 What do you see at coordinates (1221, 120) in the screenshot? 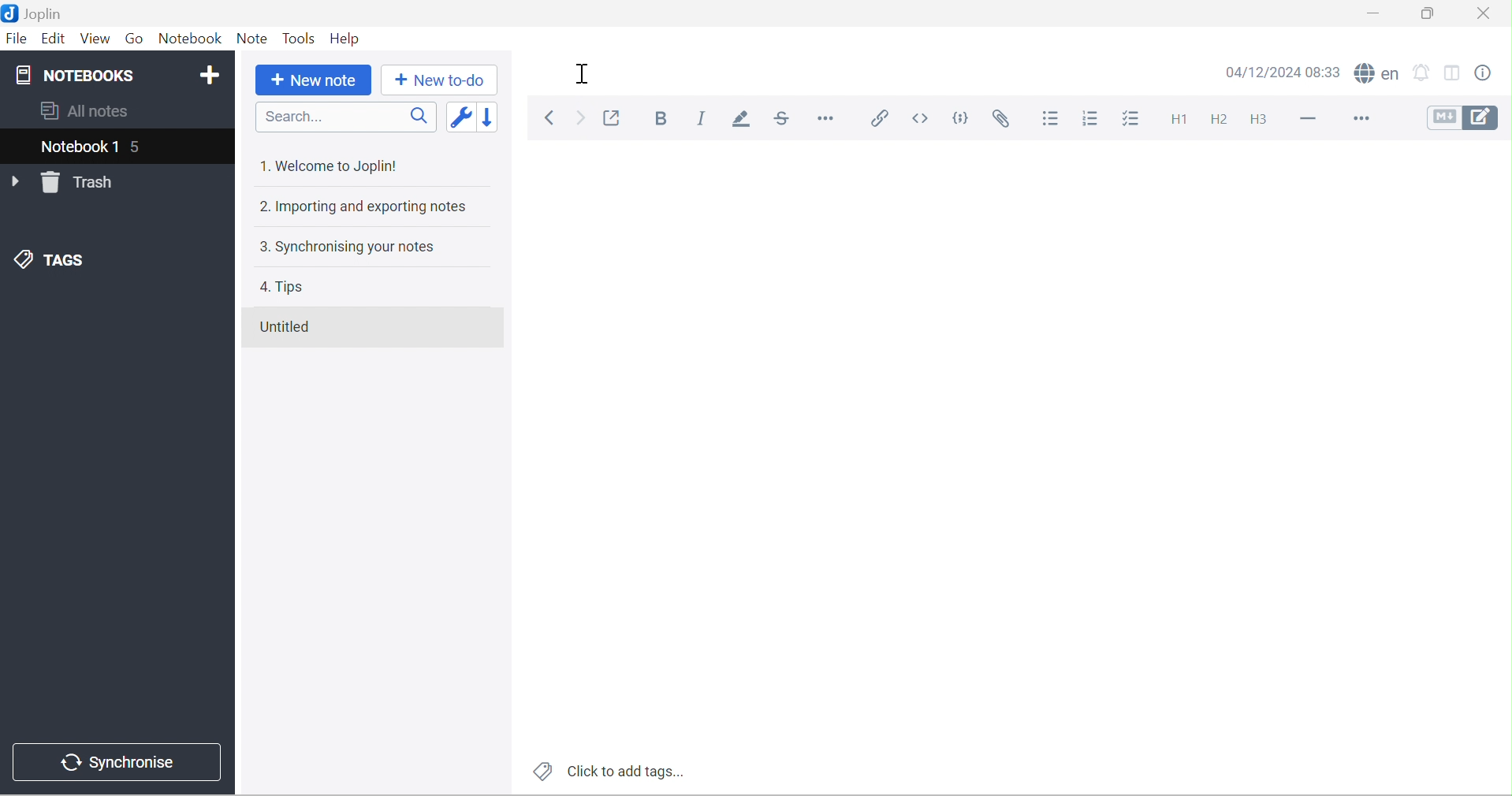
I see `Heading 2` at bounding box center [1221, 120].